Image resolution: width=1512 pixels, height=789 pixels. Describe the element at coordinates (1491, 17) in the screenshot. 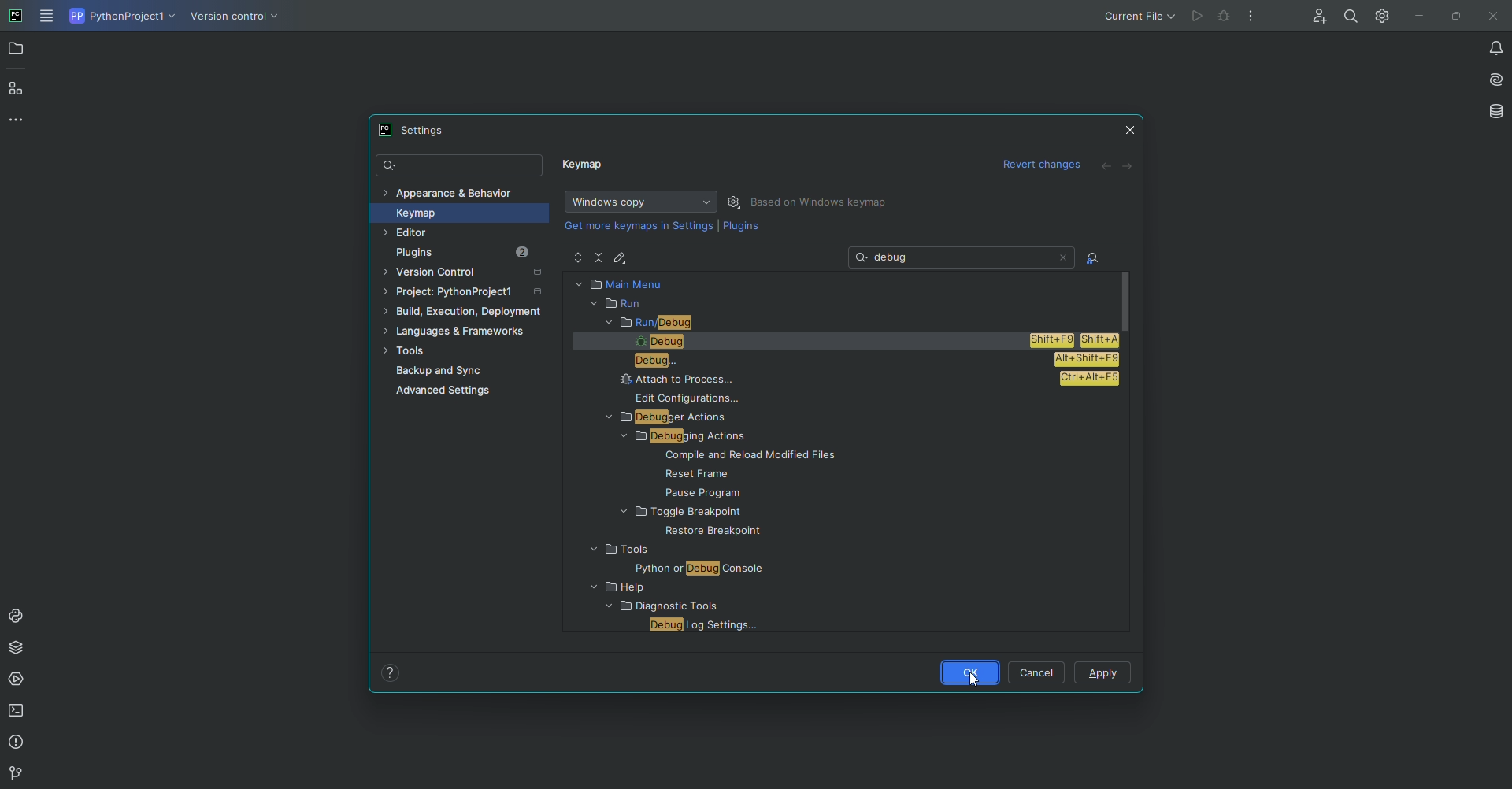

I see `Close` at that location.